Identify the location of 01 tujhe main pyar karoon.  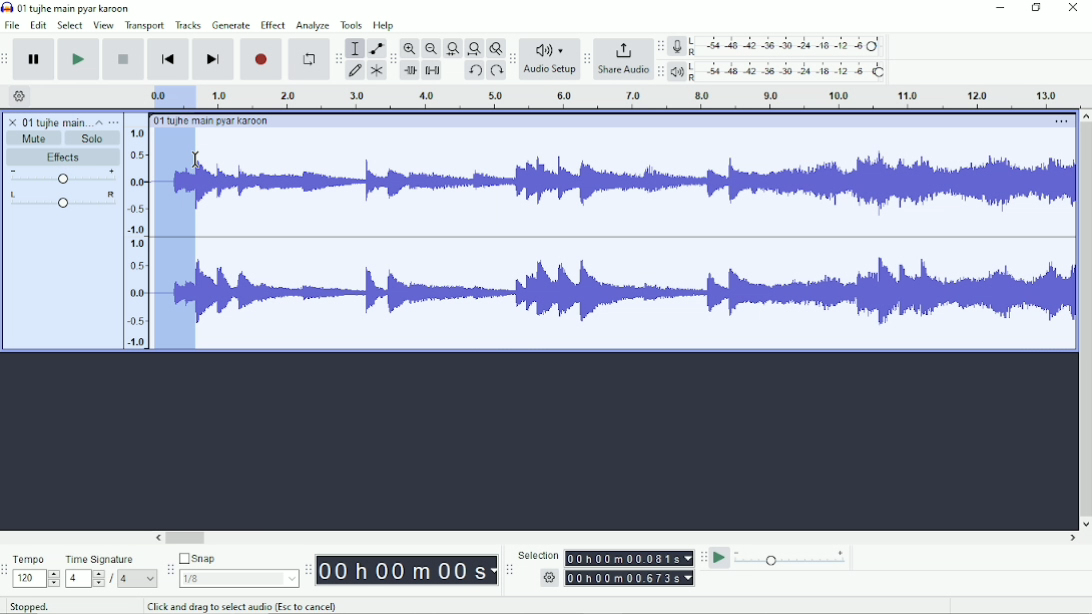
(215, 121).